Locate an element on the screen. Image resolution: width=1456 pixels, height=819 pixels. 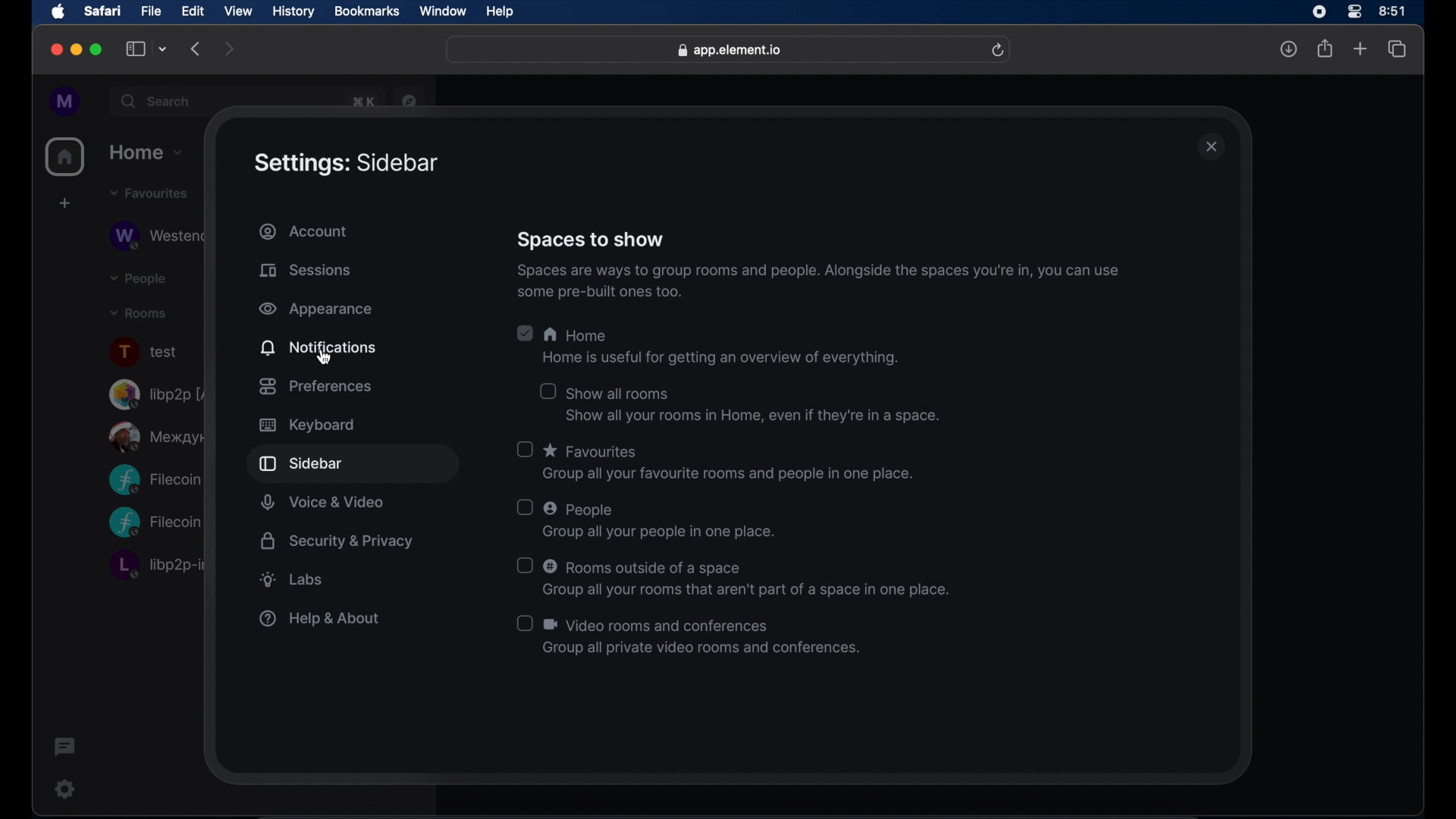
web address- app.elements.io is located at coordinates (729, 50).